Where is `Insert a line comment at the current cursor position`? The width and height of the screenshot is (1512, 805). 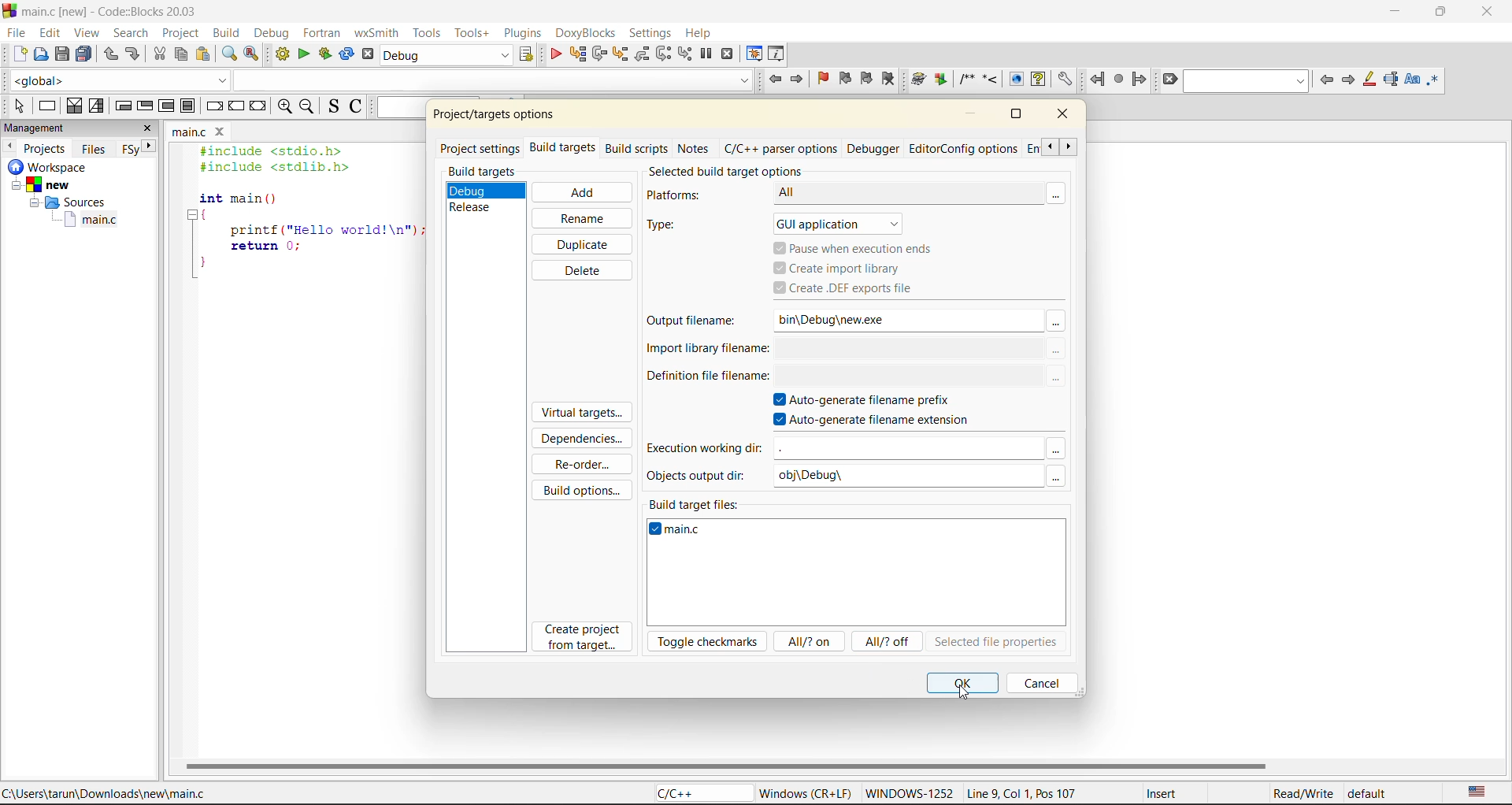
Insert a line comment at the current cursor position is located at coordinates (989, 79).